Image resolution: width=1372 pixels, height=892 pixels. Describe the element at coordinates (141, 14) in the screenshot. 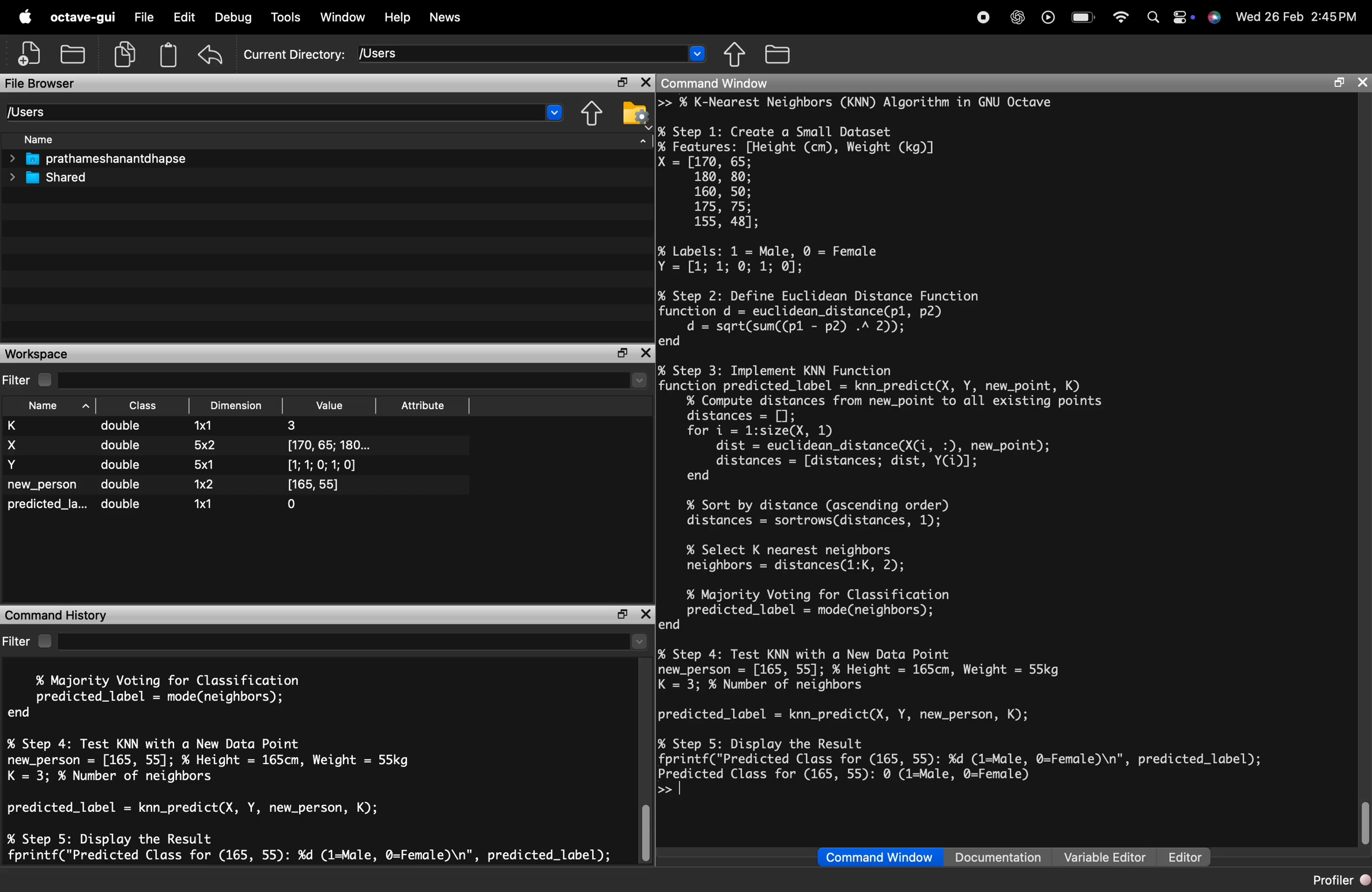

I see `File` at that location.